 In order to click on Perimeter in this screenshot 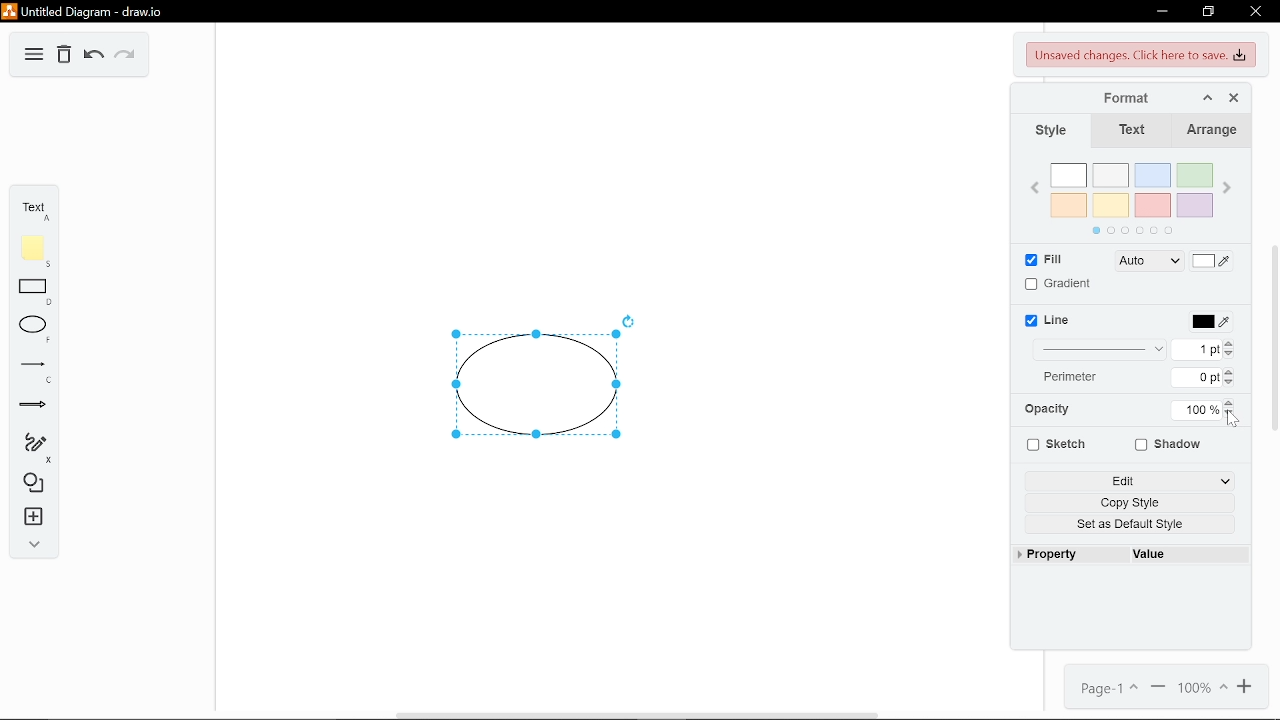, I will do `click(1085, 377)`.